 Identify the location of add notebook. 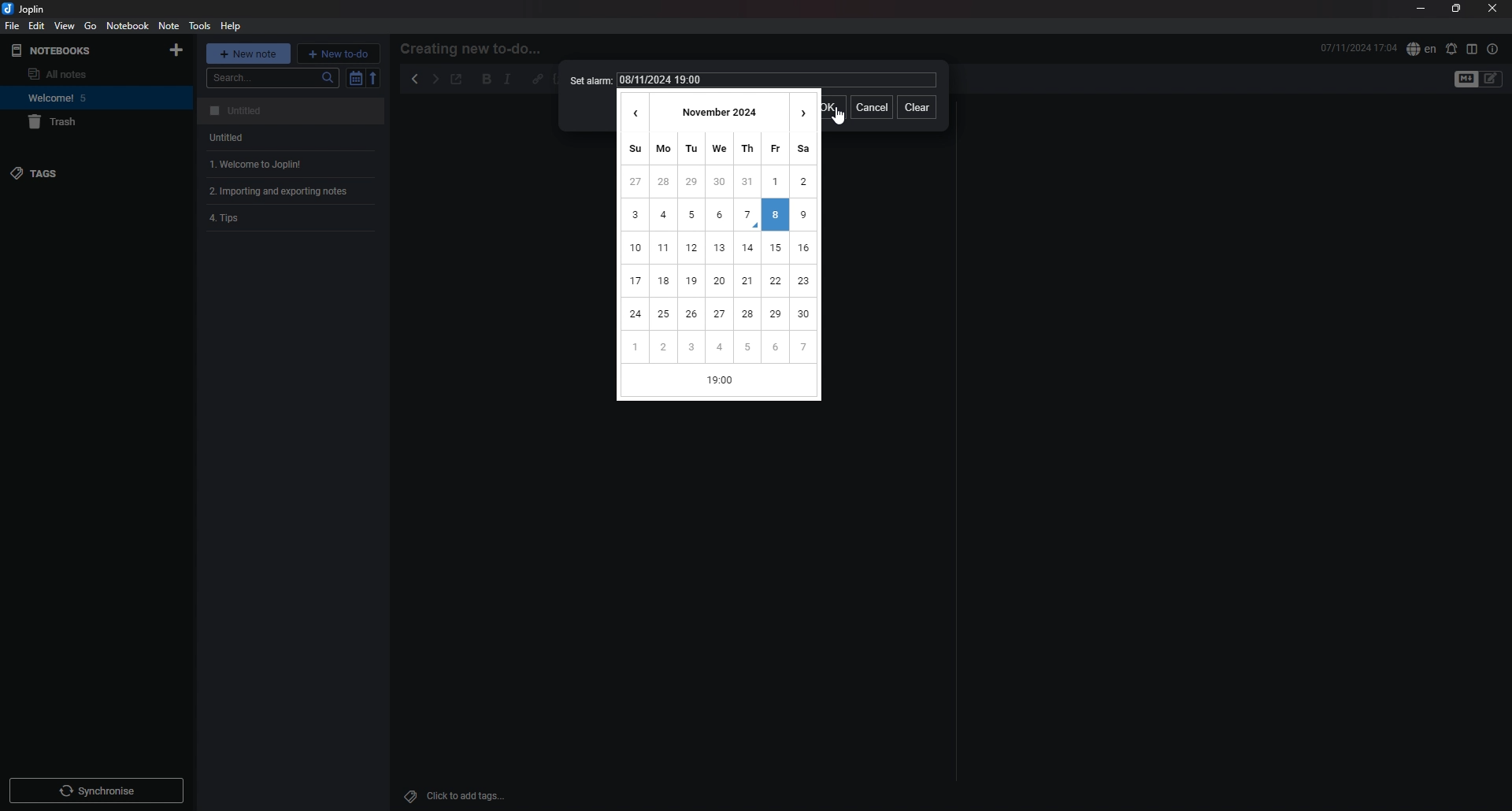
(178, 50).